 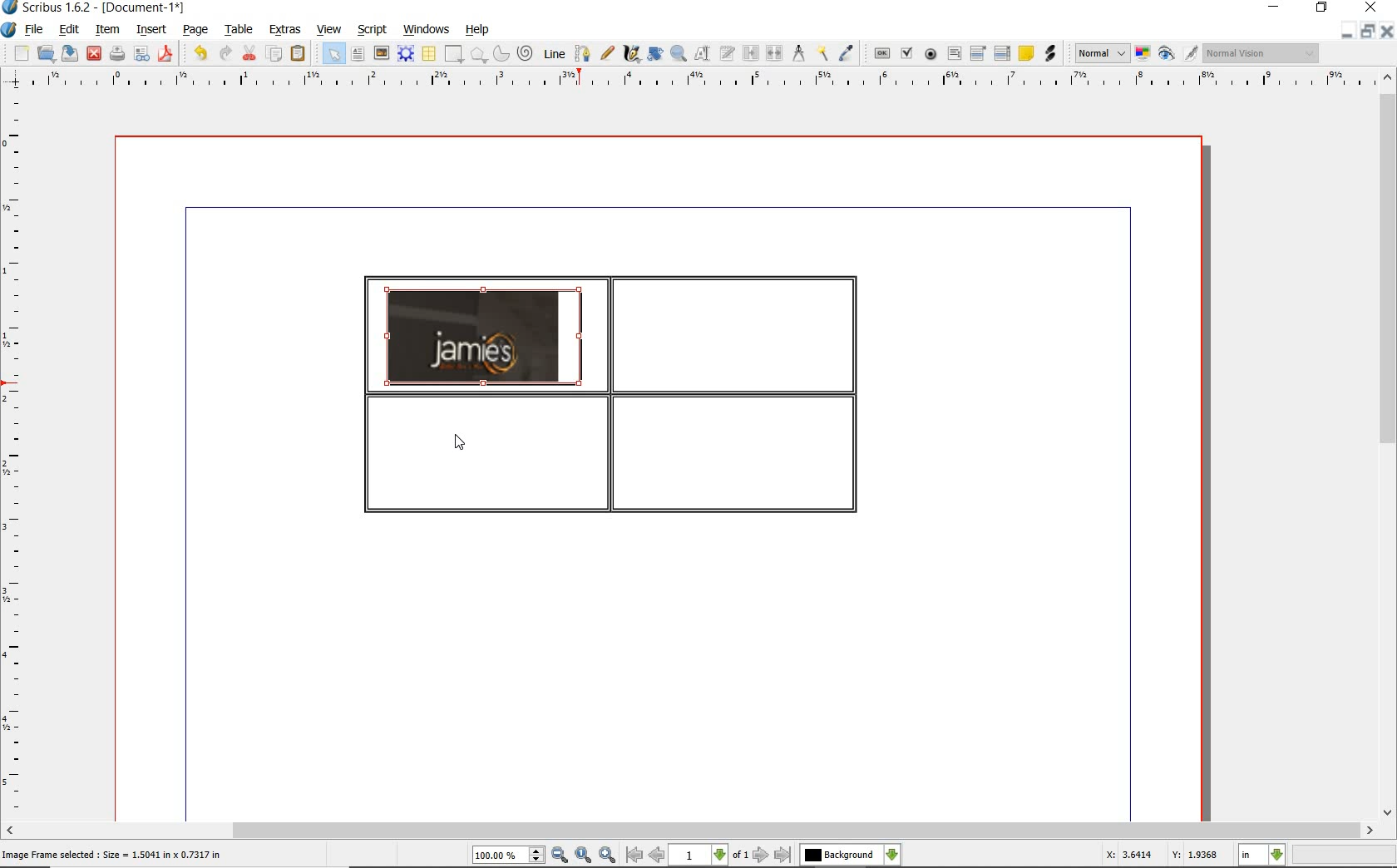 What do you see at coordinates (955, 53) in the screenshot?
I see `pdf text field` at bounding box center [955, 53].